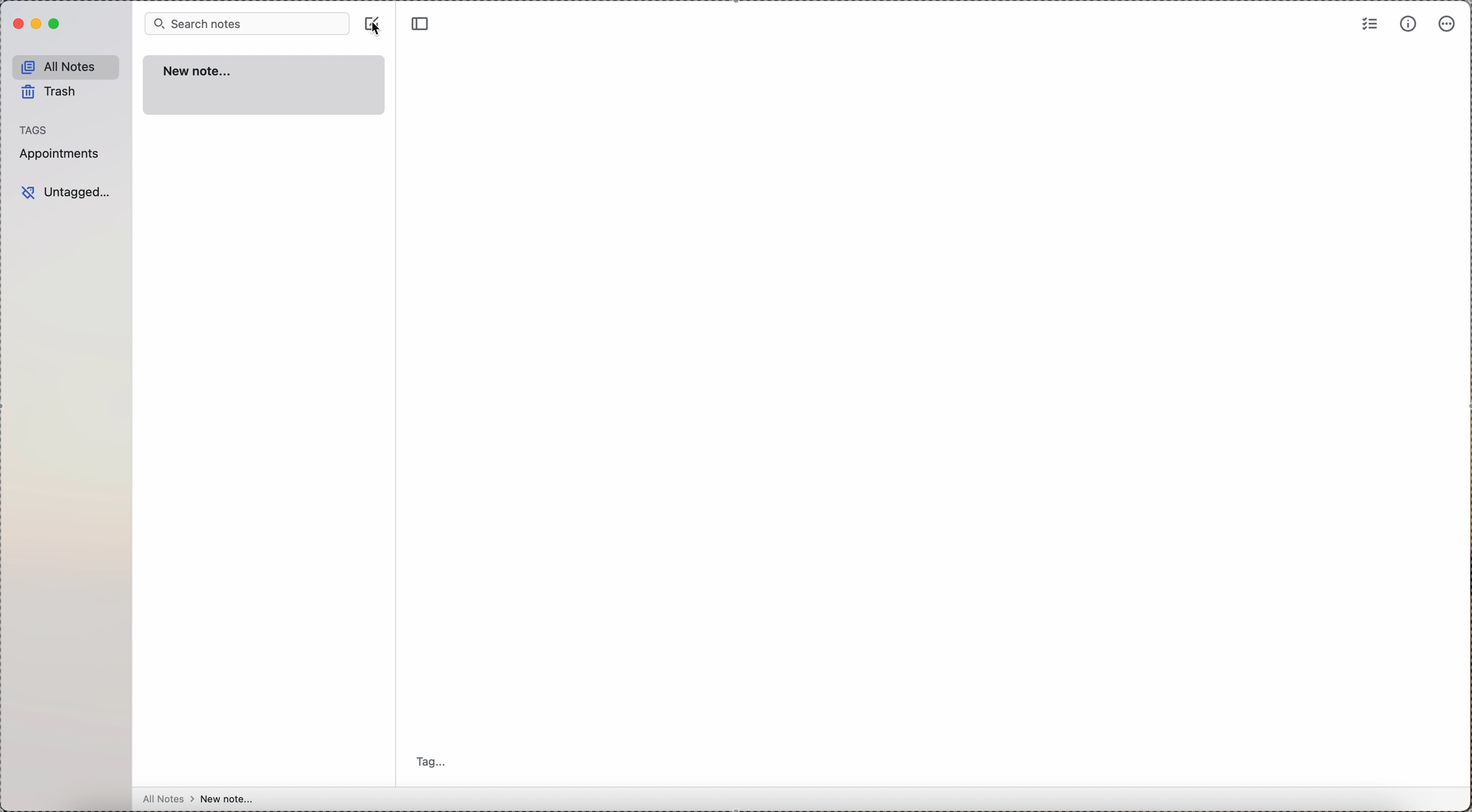 The width and height of the screenshot is (1472, 812). What do you see at coordinates (197, 799) in the screenshot?
I see `all notes > new note...` at bounding box center [197, 799].